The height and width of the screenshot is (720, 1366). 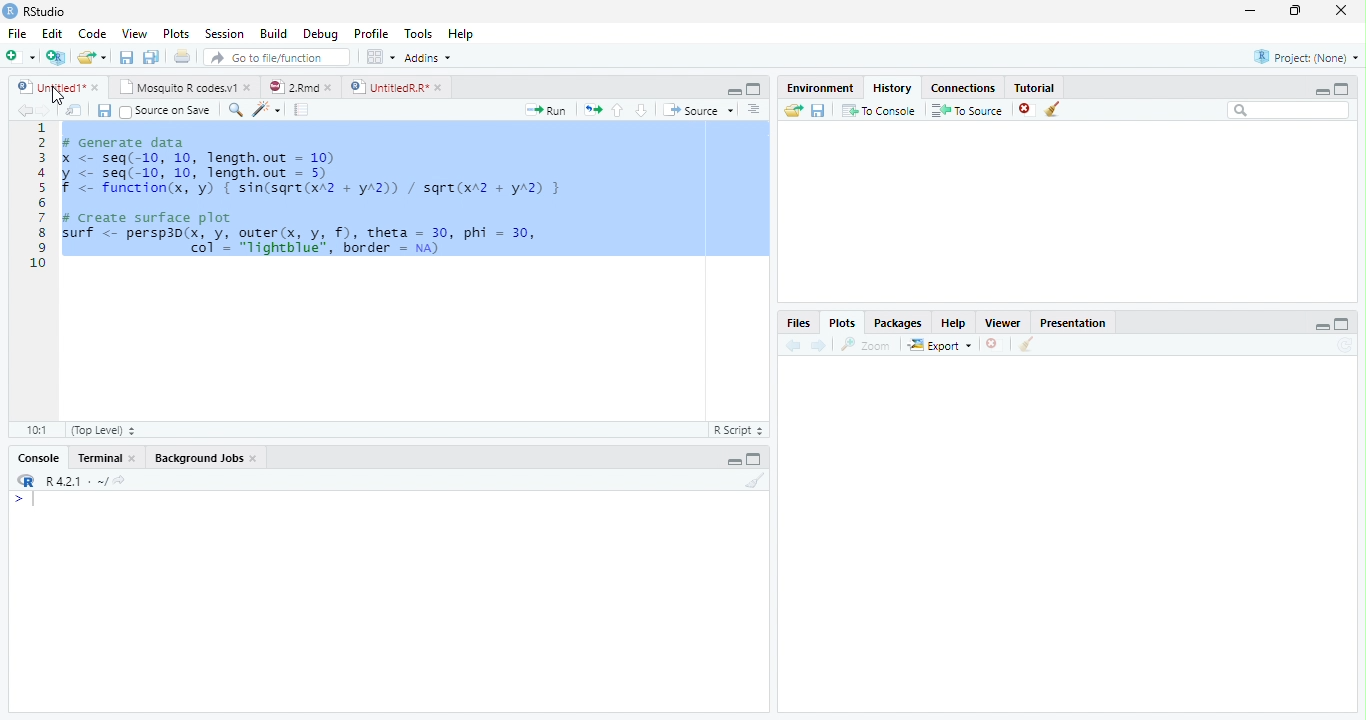 What do you see at coordinates (76, 480) in the screenshot?
I see `R 4.2.1 . ~/` at bounding box center [76, 480].